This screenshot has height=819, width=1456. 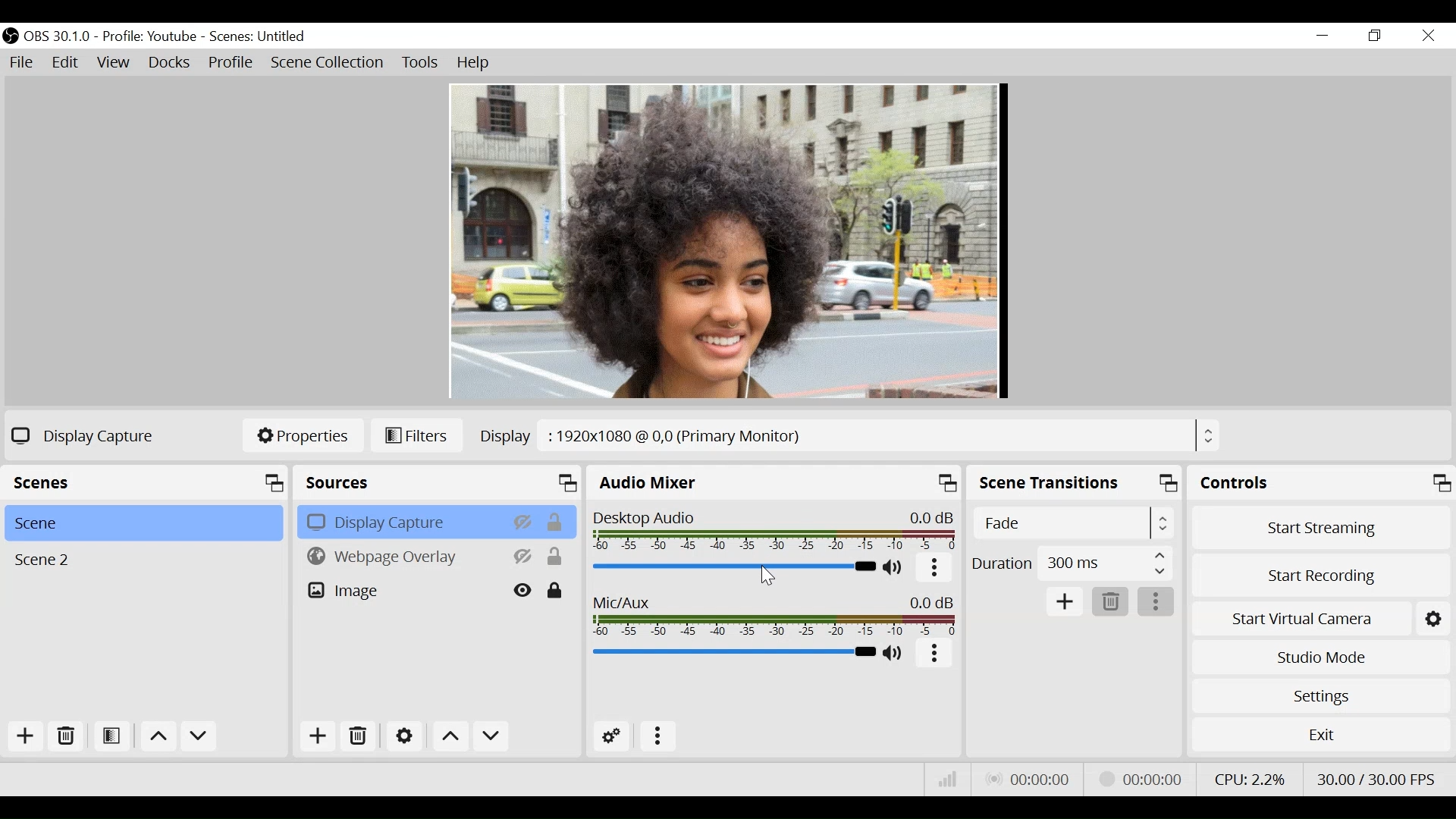 What do you see at coordinates (492, 736) in the screenshot?
I see `Move down` at bounding box center [492, 736].